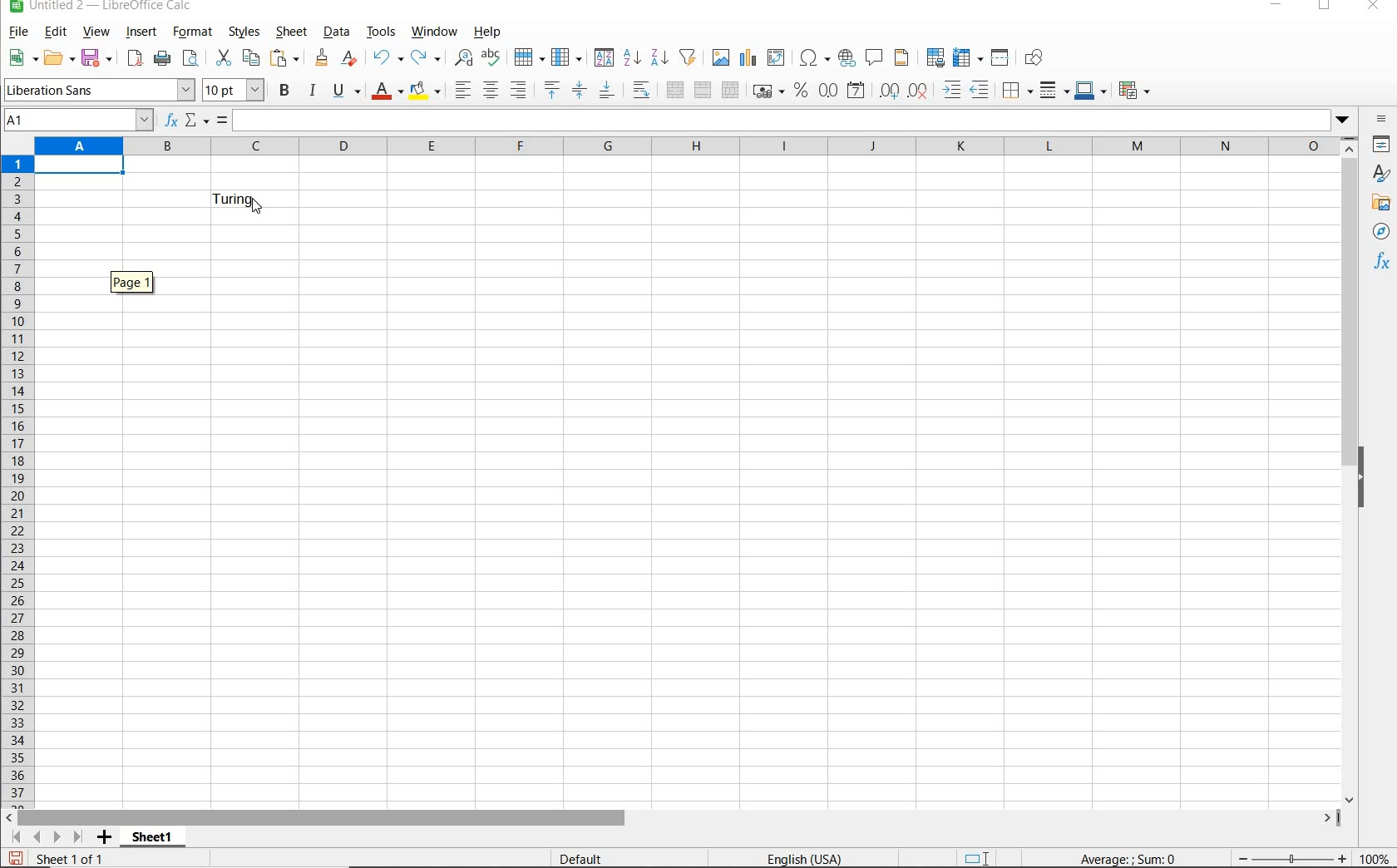 The image size is (1397, 868). Describe the element at coordinates (1345, 119) in the screenshot. I see `Dropdown` at that location.